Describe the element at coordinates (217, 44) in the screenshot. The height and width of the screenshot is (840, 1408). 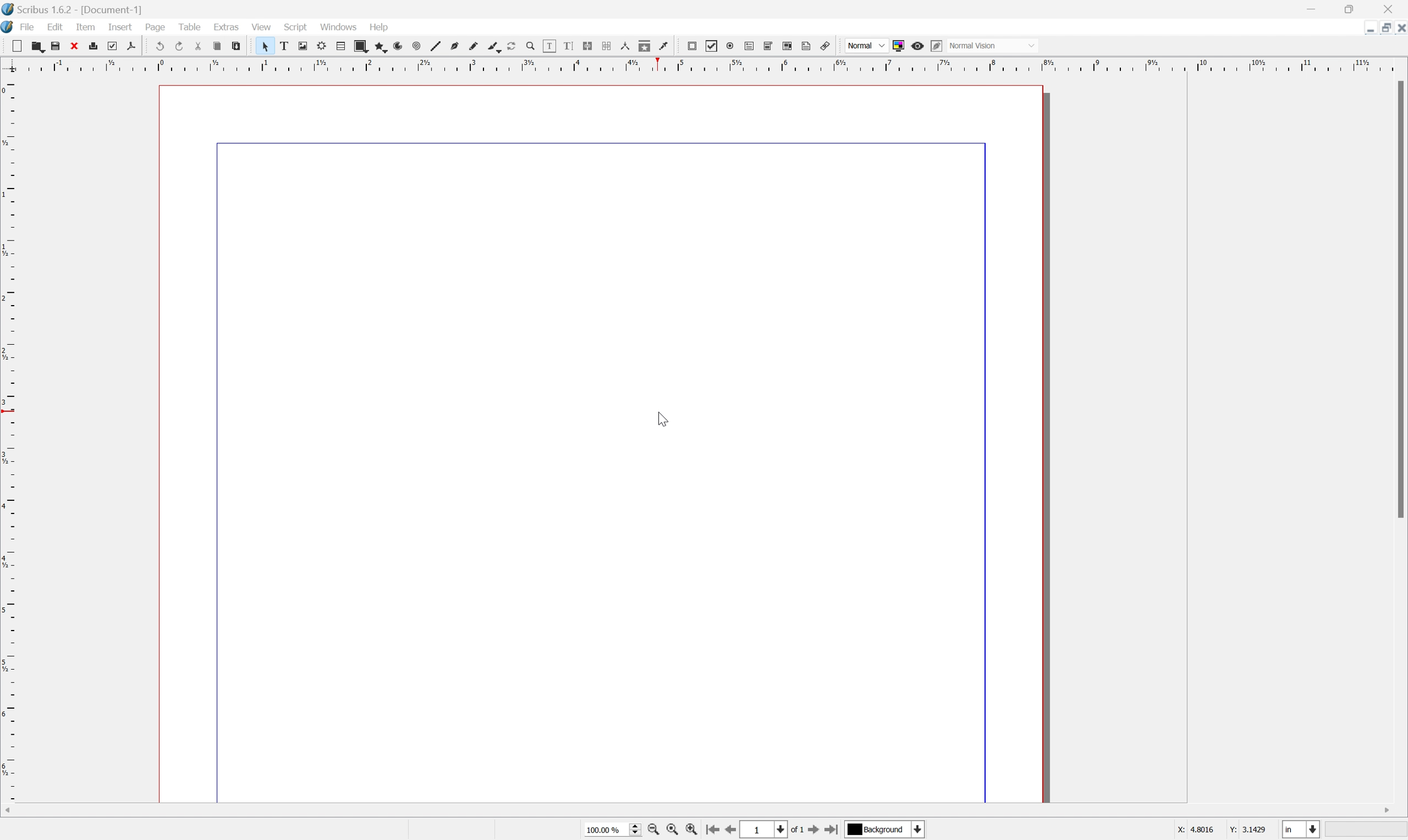
I see `copy` at that location.